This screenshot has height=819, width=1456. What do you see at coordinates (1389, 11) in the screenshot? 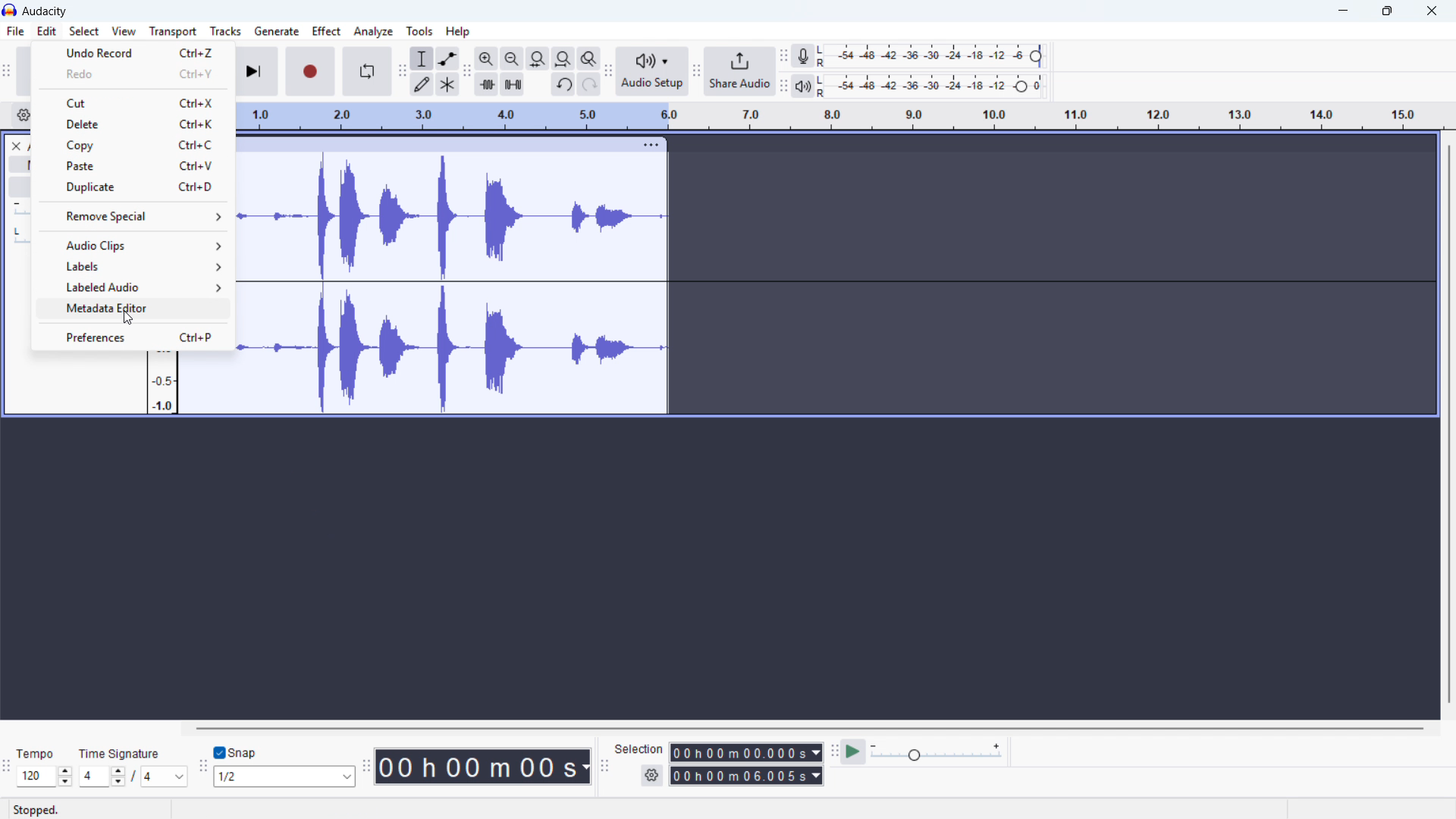
I see `maximize` at bounding box center [1389, 11].